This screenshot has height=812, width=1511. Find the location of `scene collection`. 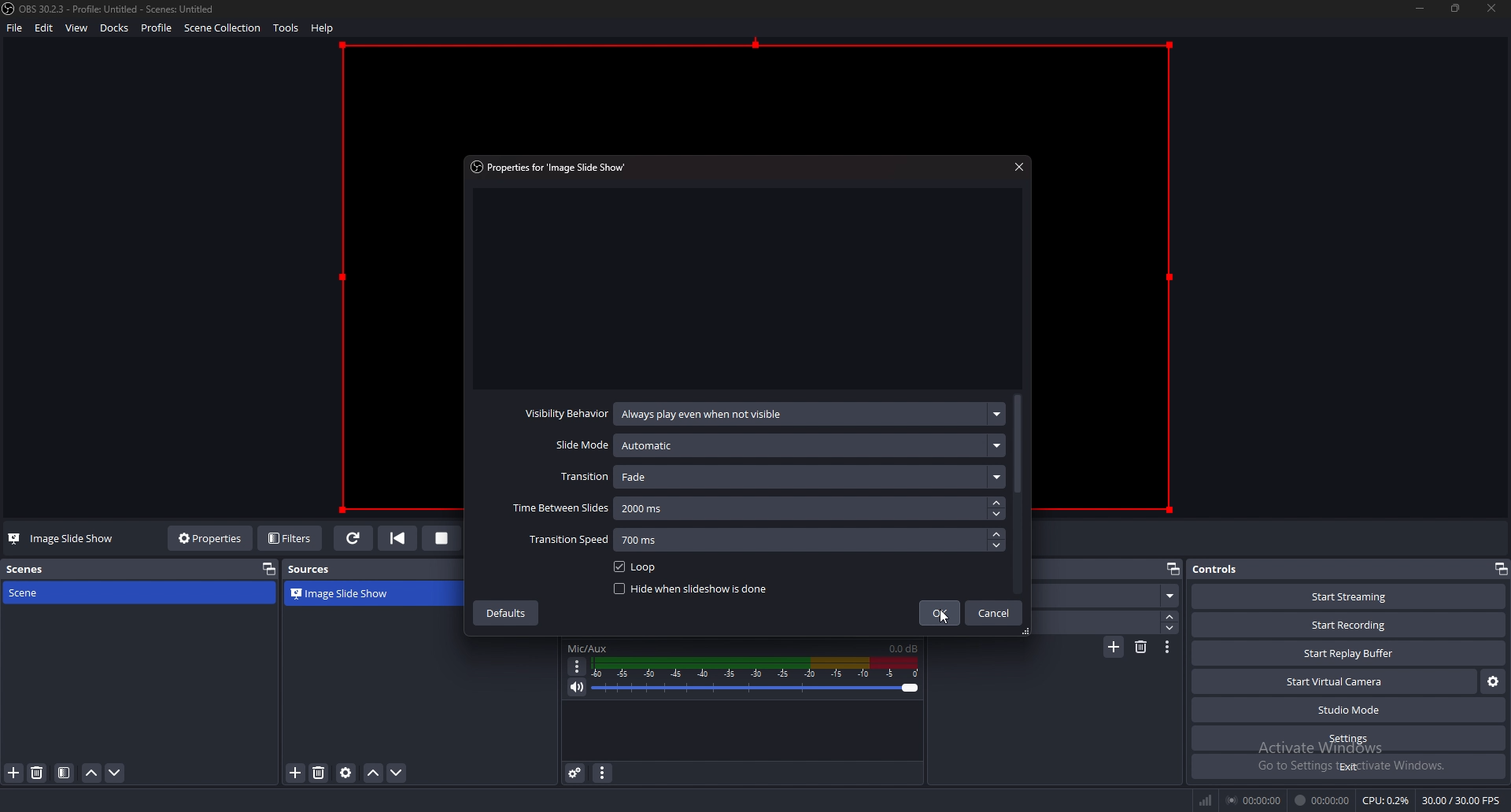

scene collection is located at coordinates (225, 28).